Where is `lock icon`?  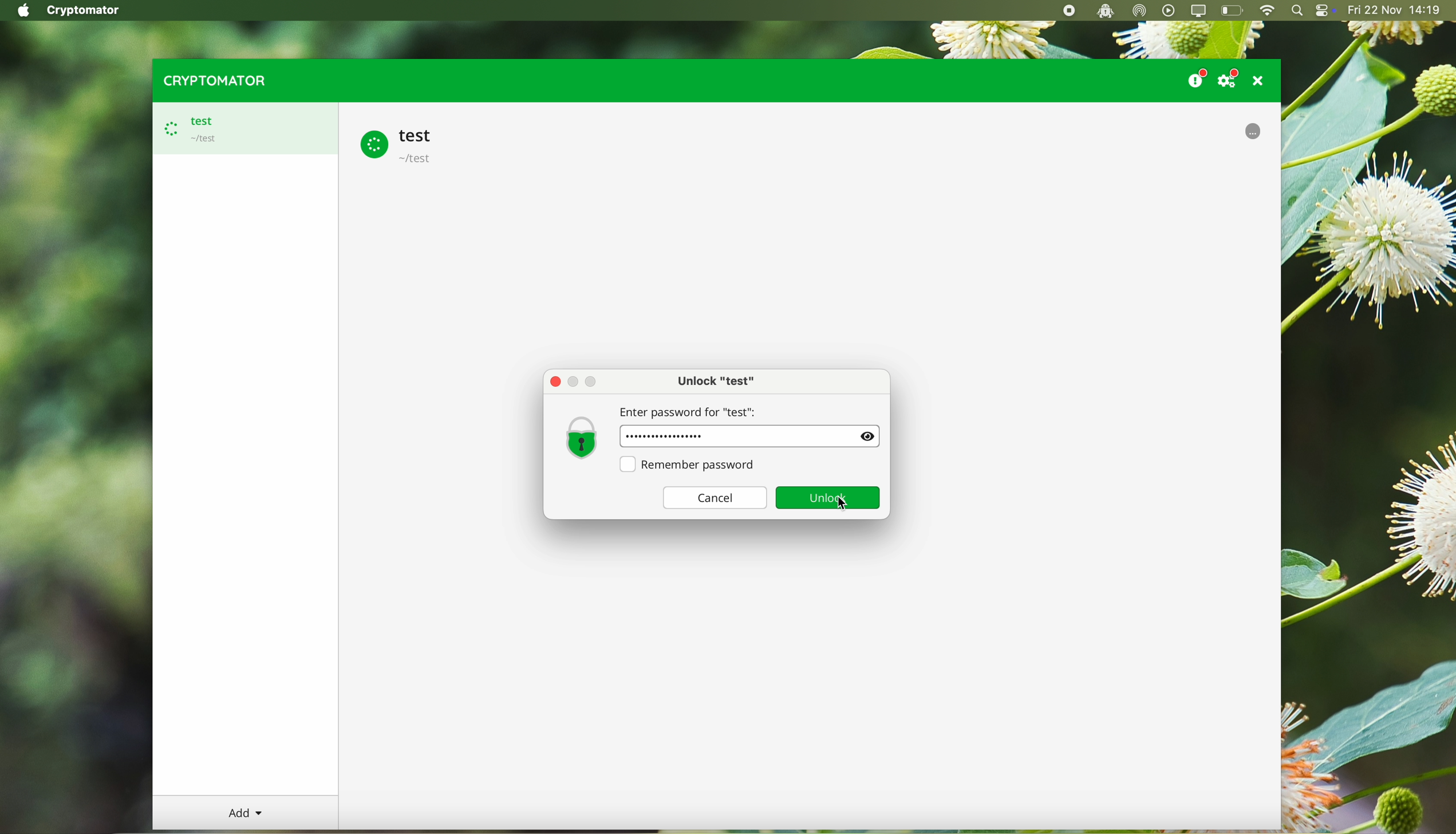 lock icon is located at coordinates (581, 436).